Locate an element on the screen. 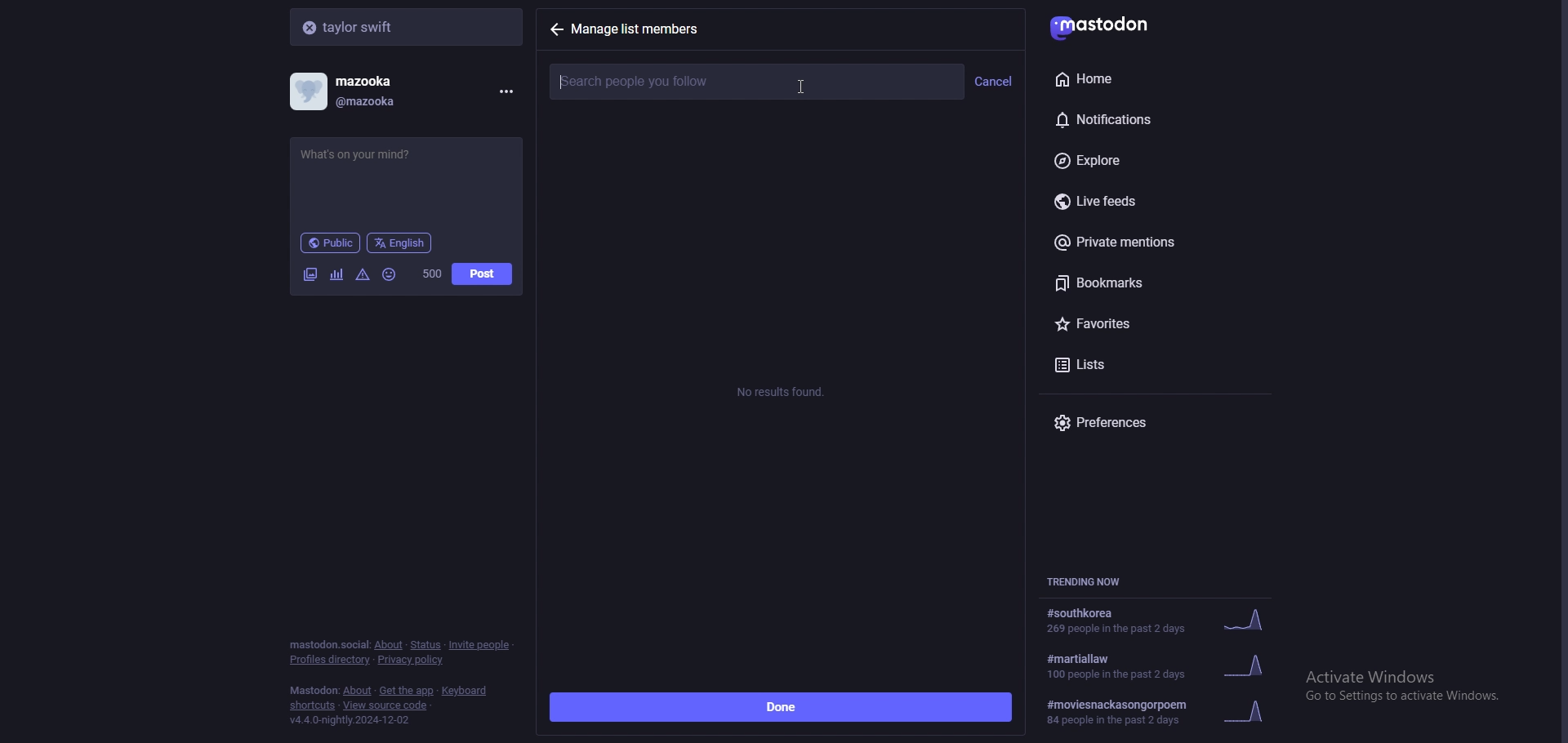 Image resolution: width=1568 pixels, height=743 pixels. emoji is located at coordinates (390, 274).